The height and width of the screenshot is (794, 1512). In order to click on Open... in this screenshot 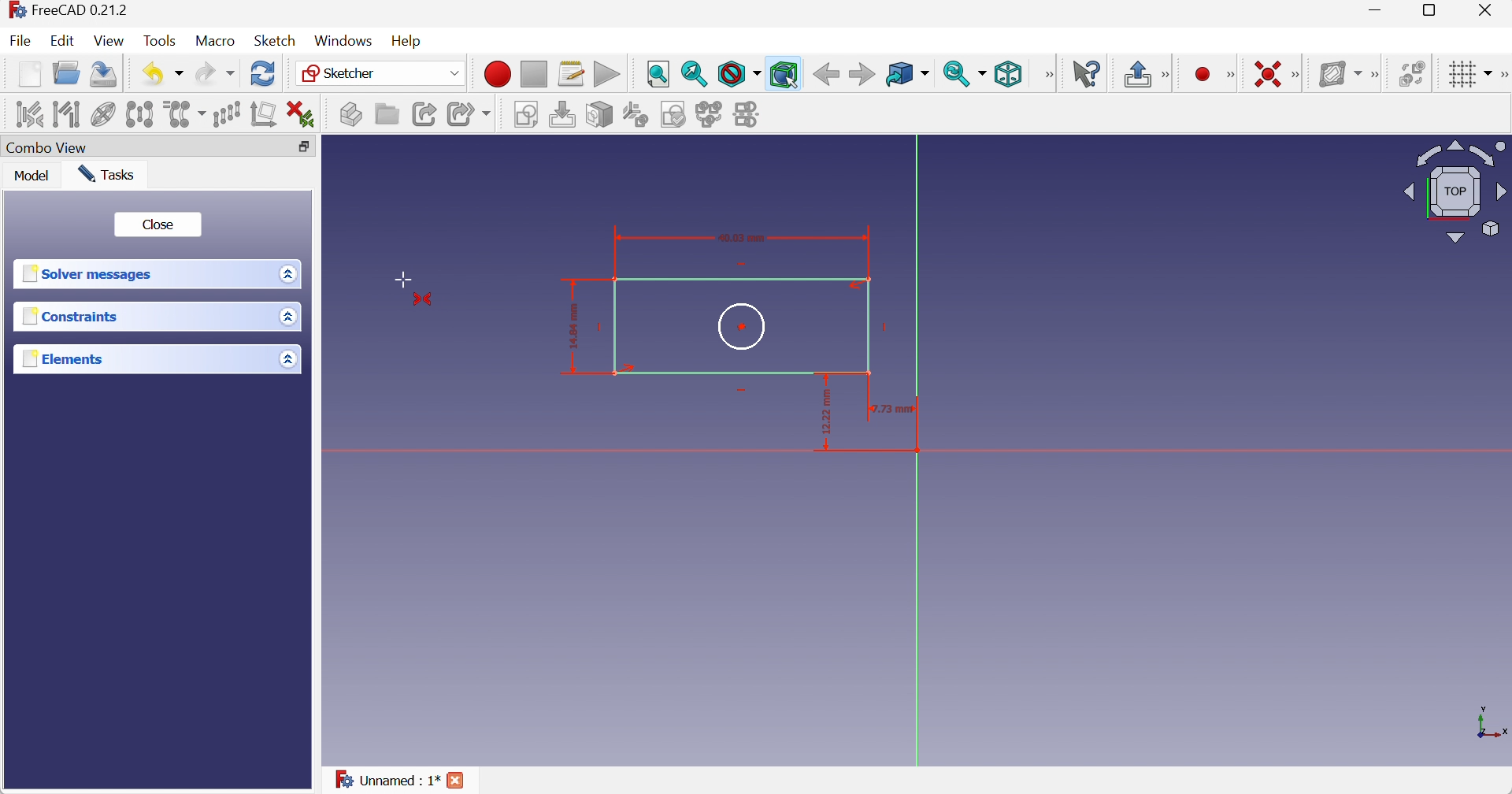, I will do `click(66, 72)`.